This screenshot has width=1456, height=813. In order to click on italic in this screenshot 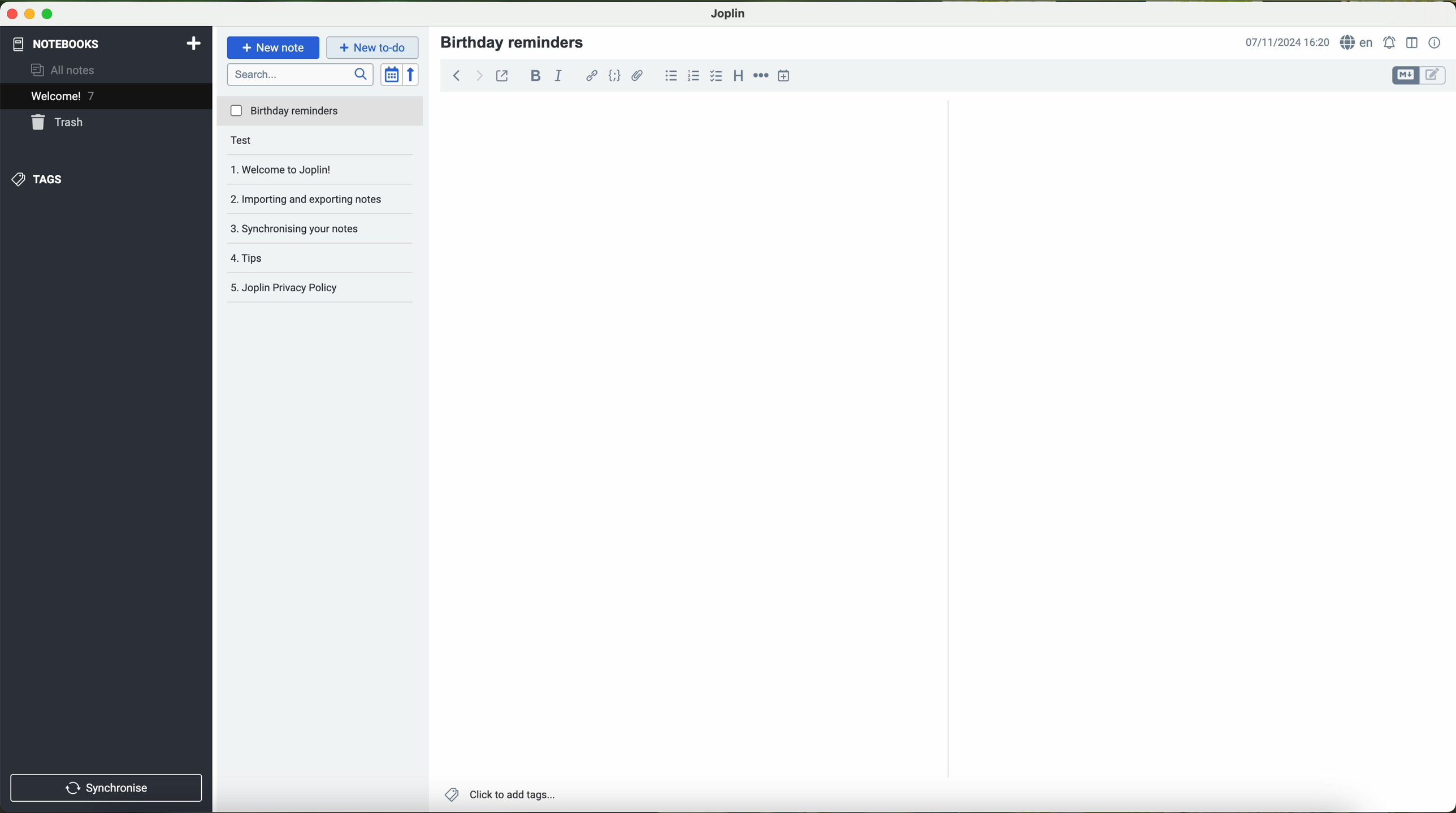, I will do `click(560, 76)`.